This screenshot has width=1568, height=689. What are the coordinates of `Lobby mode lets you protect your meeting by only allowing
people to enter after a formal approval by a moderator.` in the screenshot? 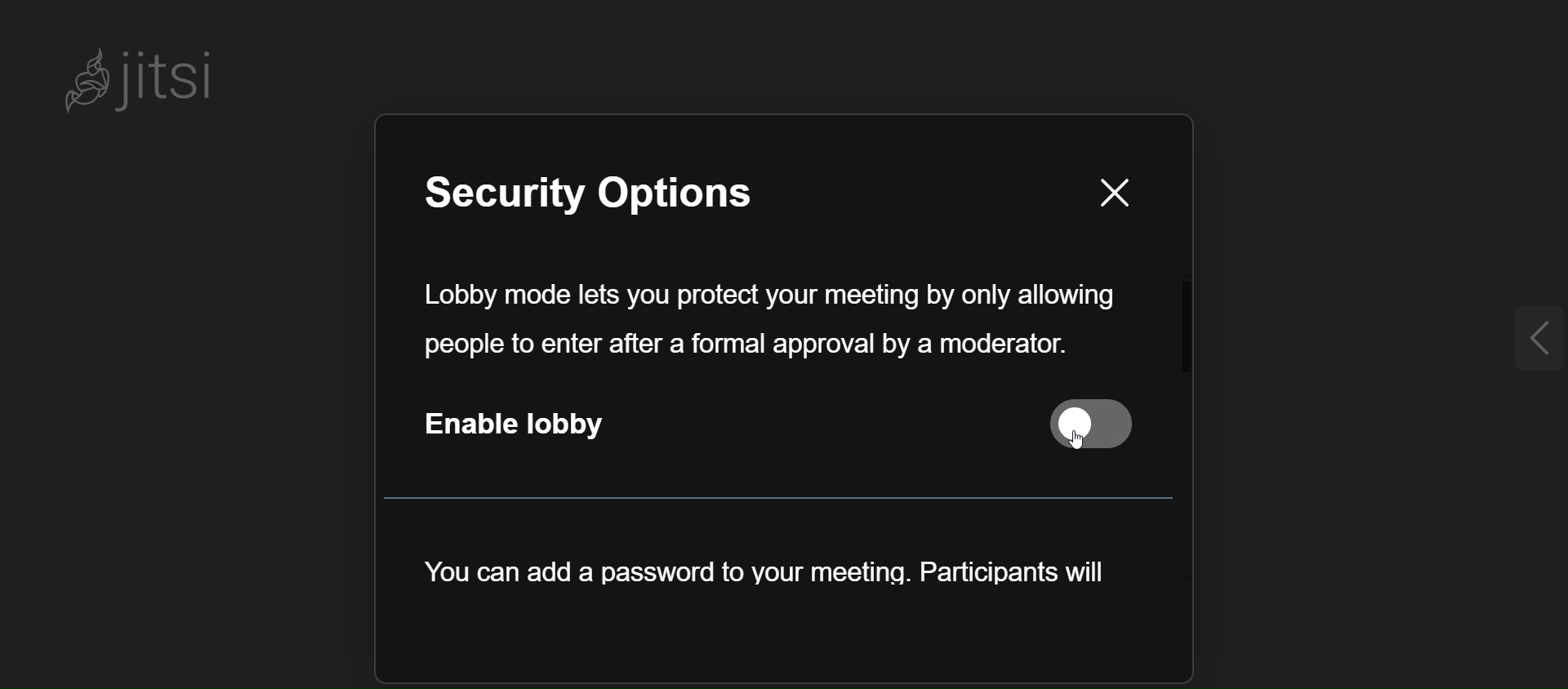 It's located at (768, 322).